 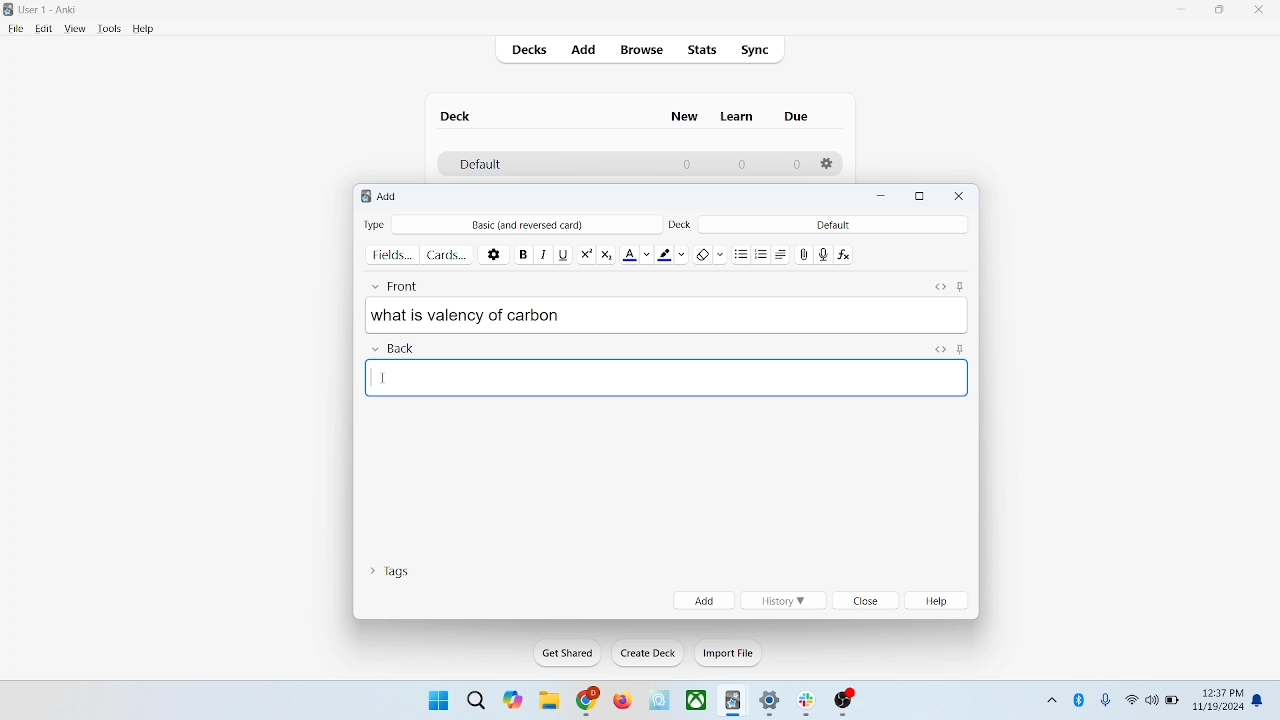 I want to click on notification, so click(x=1262, y=699).